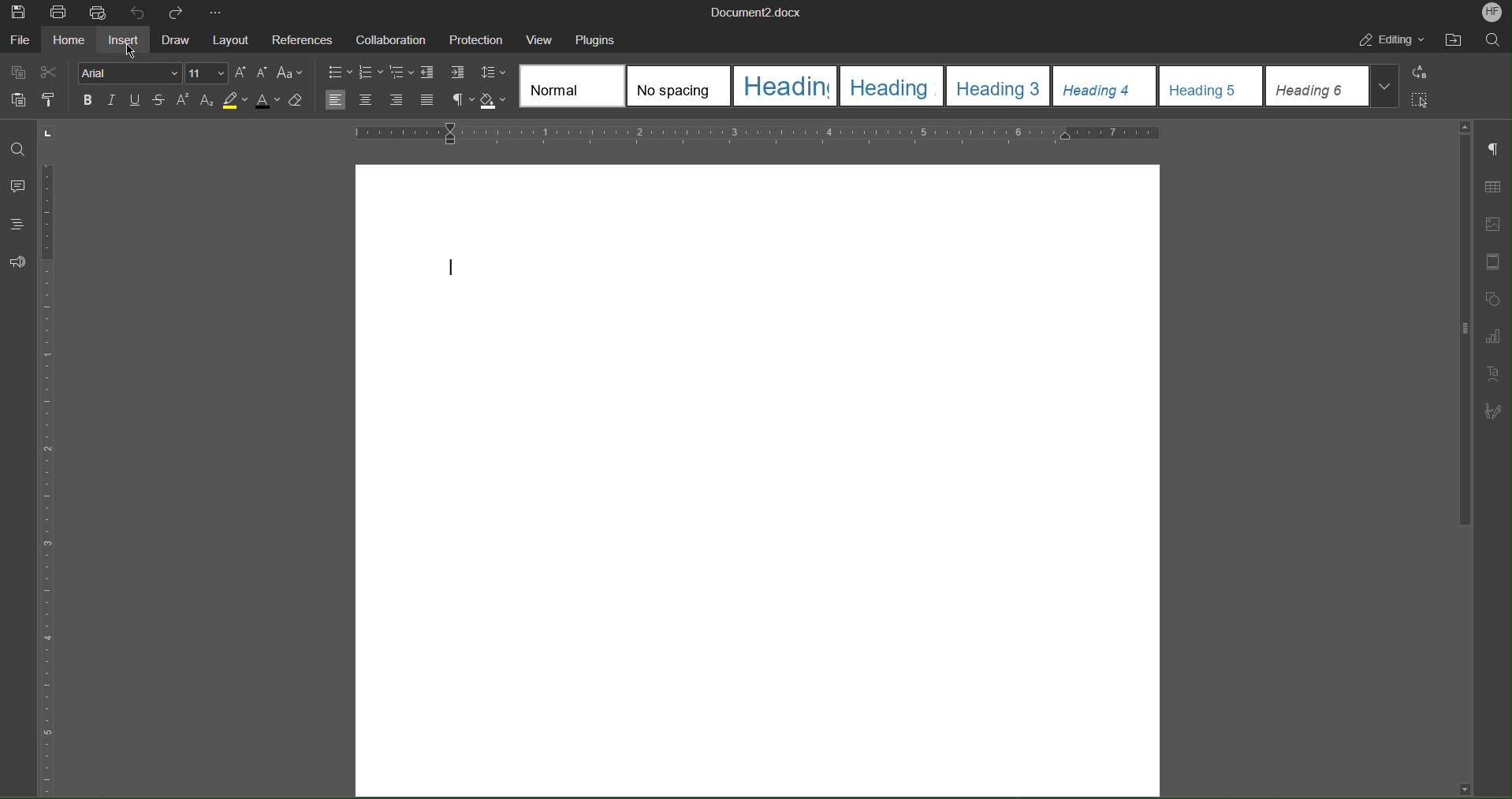 The width and height of the screenshot is (1512, 799). I want to click on Search, so click(1493, 39).